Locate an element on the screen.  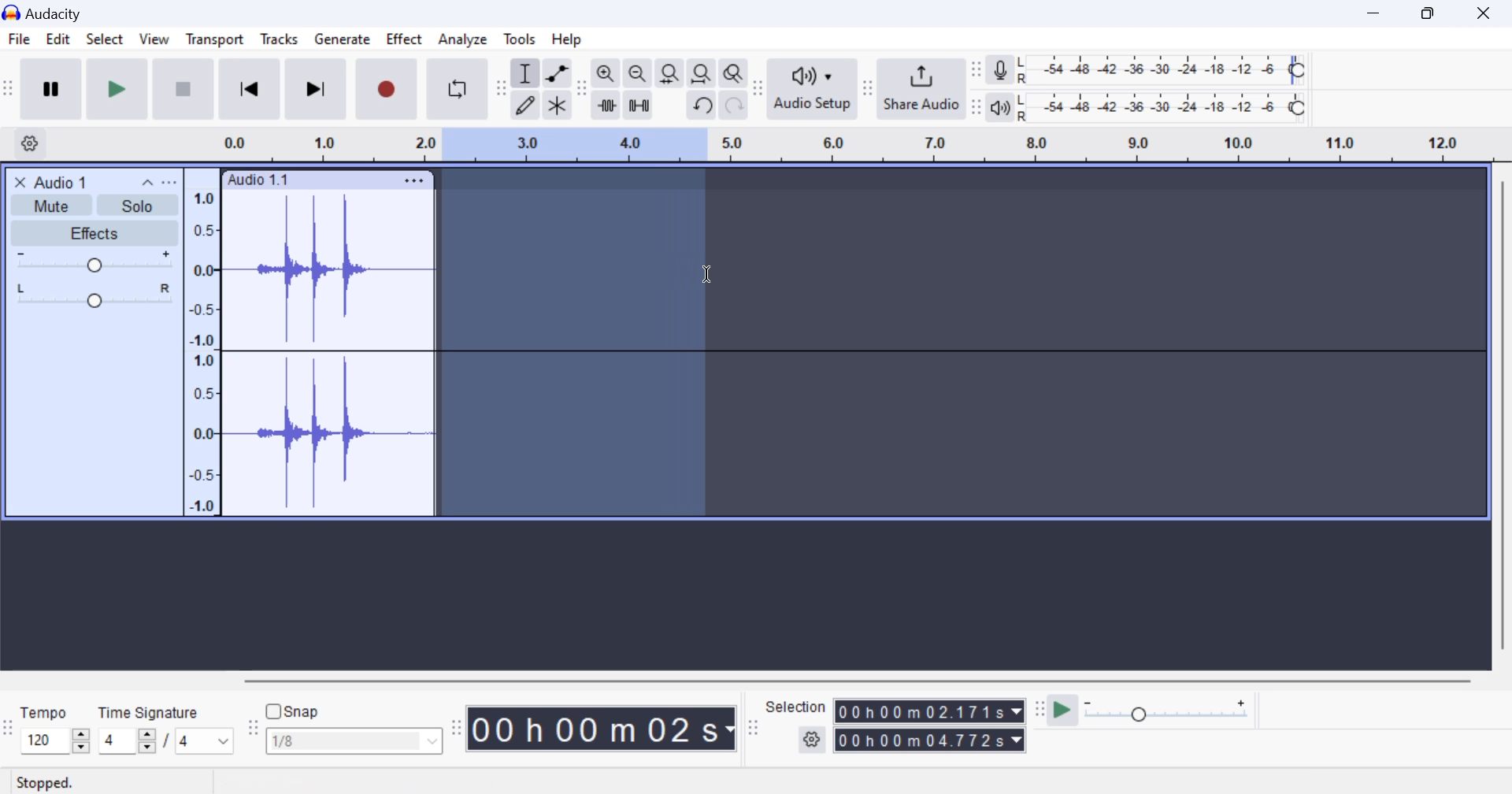
Audio Setup is located at coordinates (811, 88).